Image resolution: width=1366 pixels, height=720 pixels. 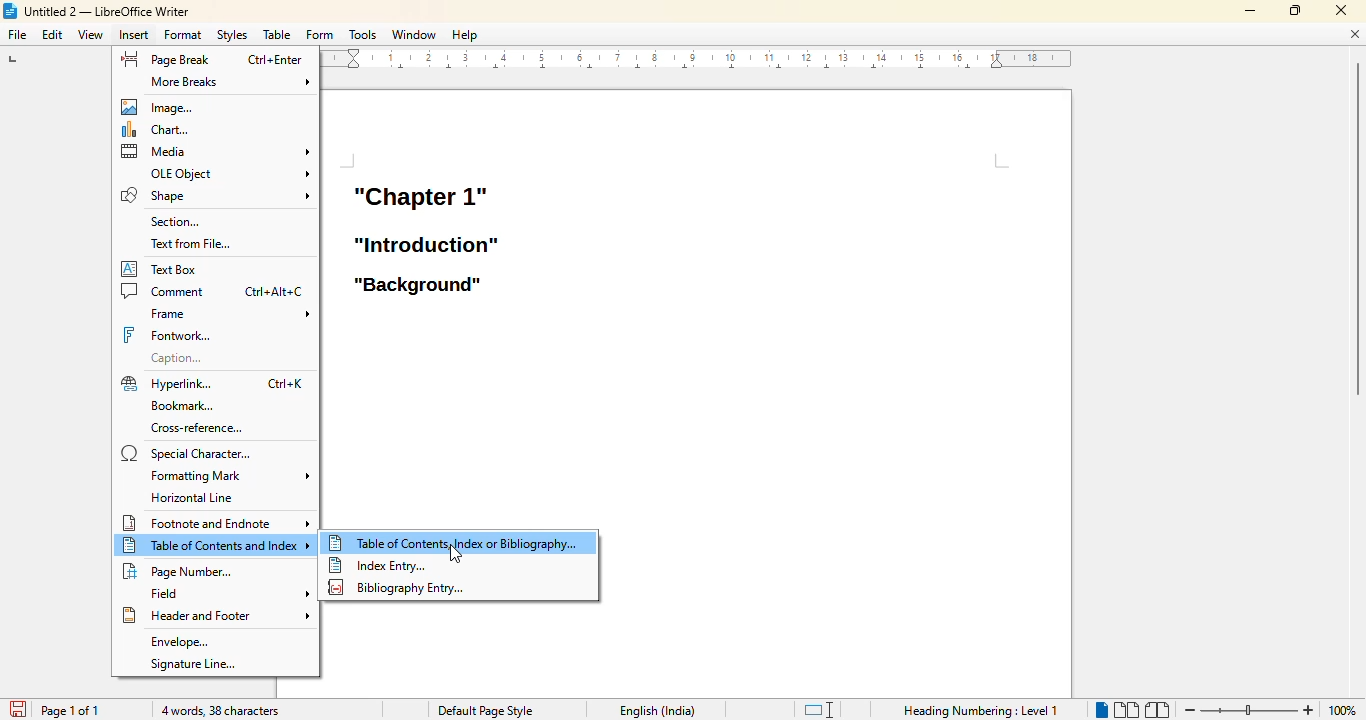 What do you see at coordinates (216, 151) in the screenshot?
I see `media` at bounding box center [216, 151].